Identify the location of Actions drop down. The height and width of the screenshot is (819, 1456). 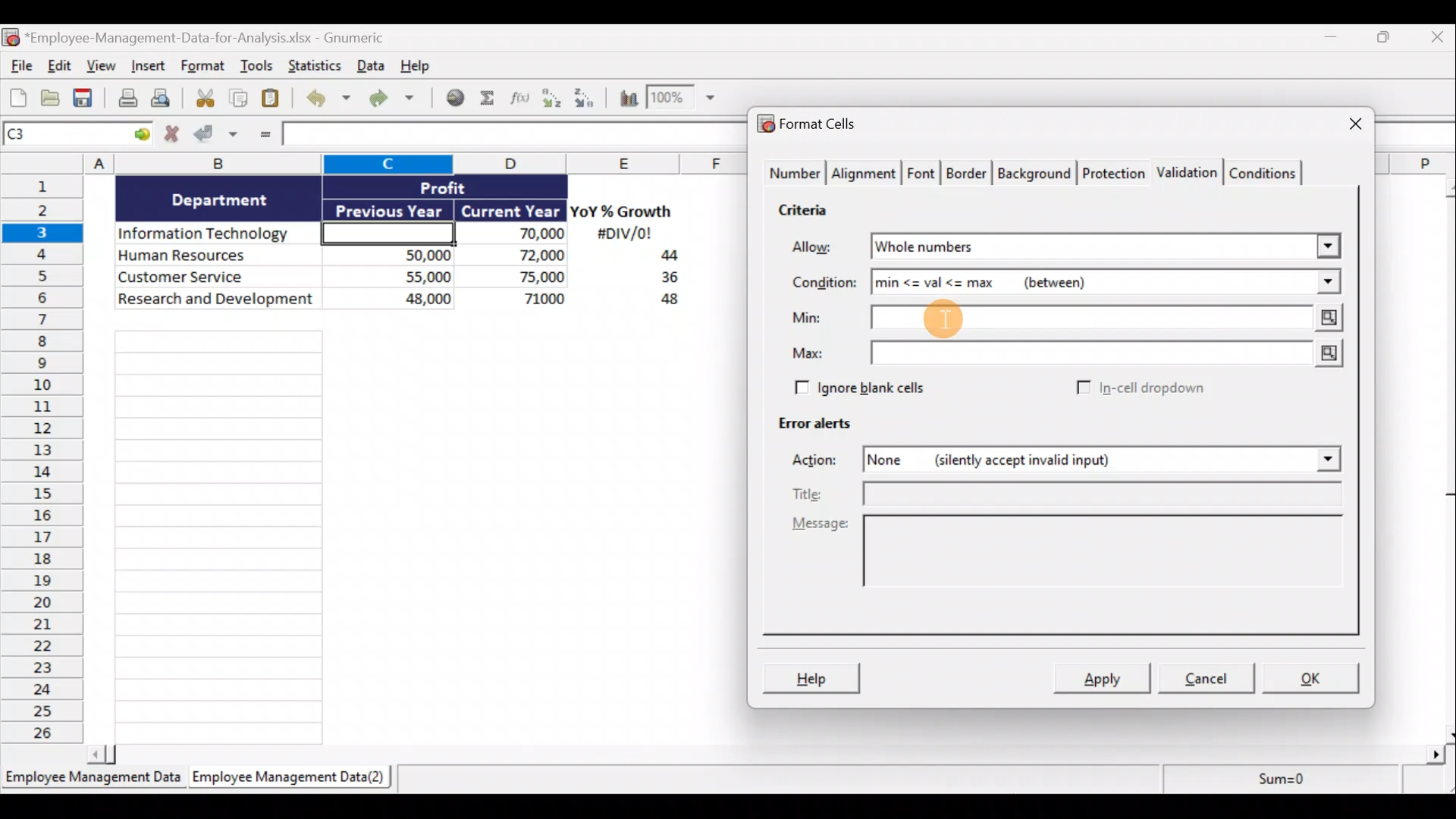
(1324, 462).